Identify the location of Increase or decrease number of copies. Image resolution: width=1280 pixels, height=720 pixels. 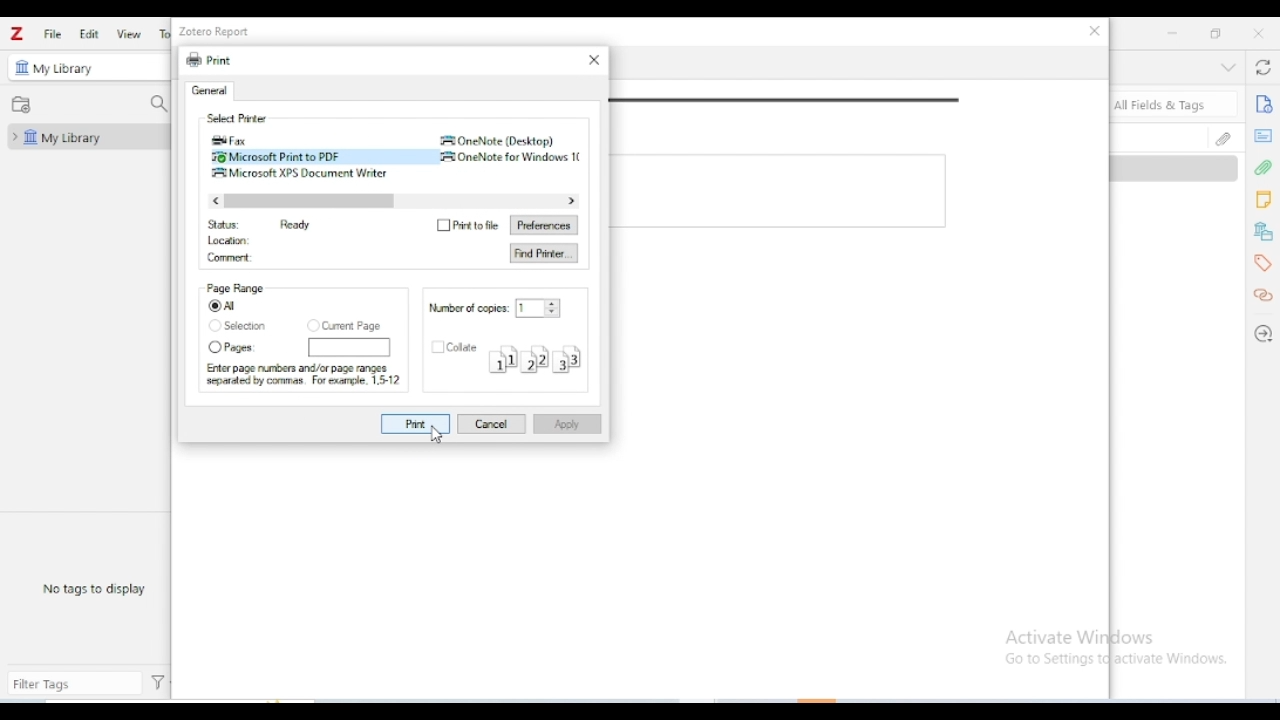
(555, 308).